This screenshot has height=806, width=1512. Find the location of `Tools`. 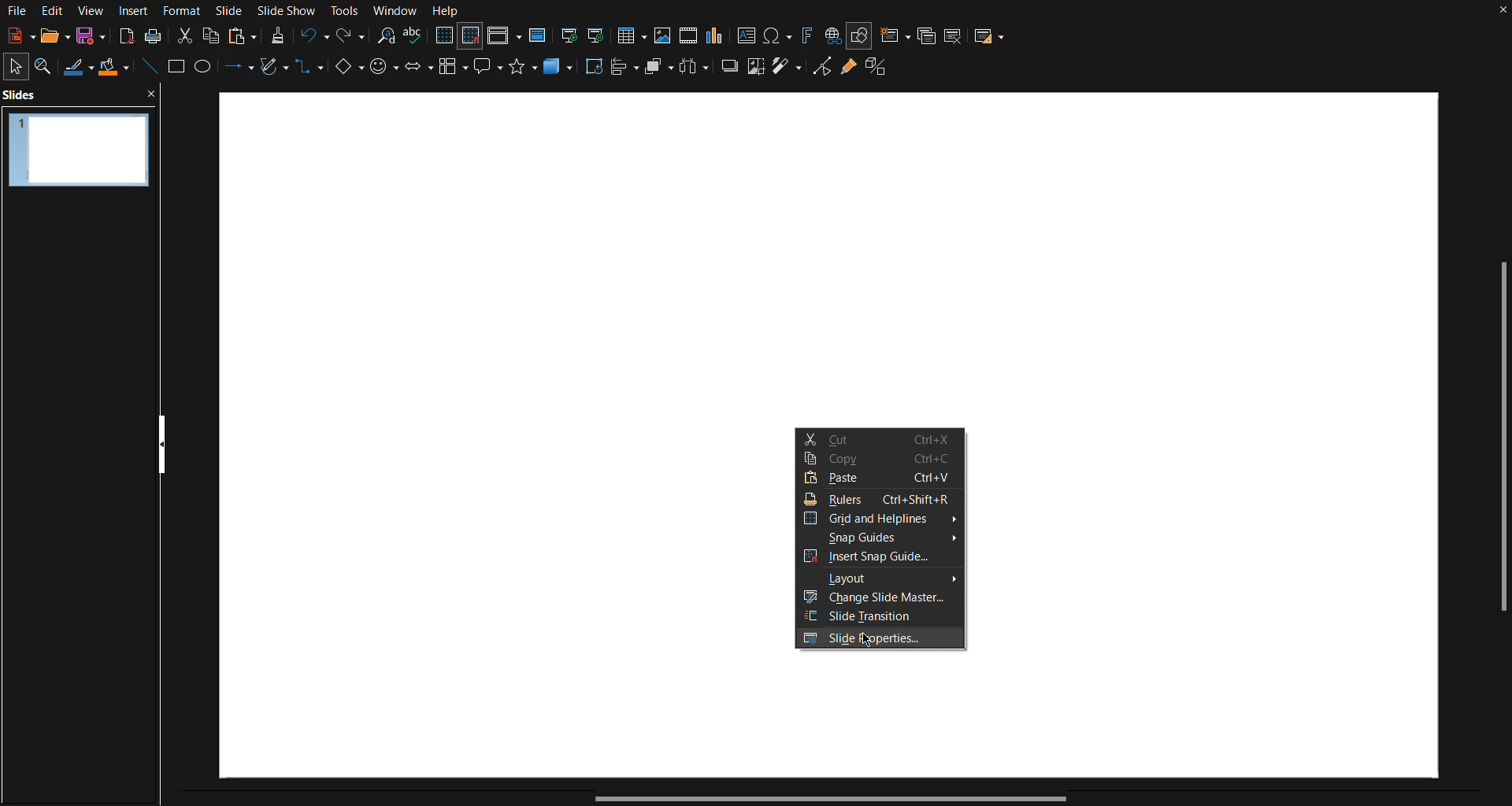

Tools is located at coordinates (346, 11).